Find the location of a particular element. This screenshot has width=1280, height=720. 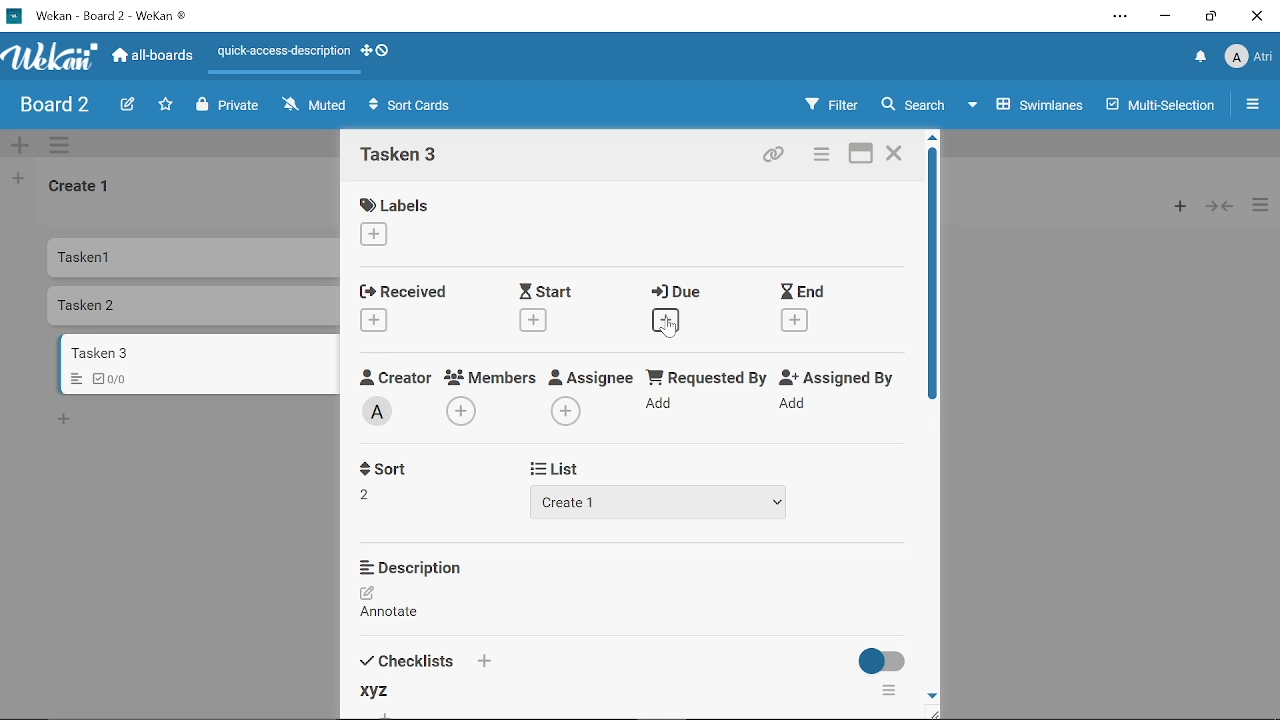

Current board is located at coordinates (52, 106).